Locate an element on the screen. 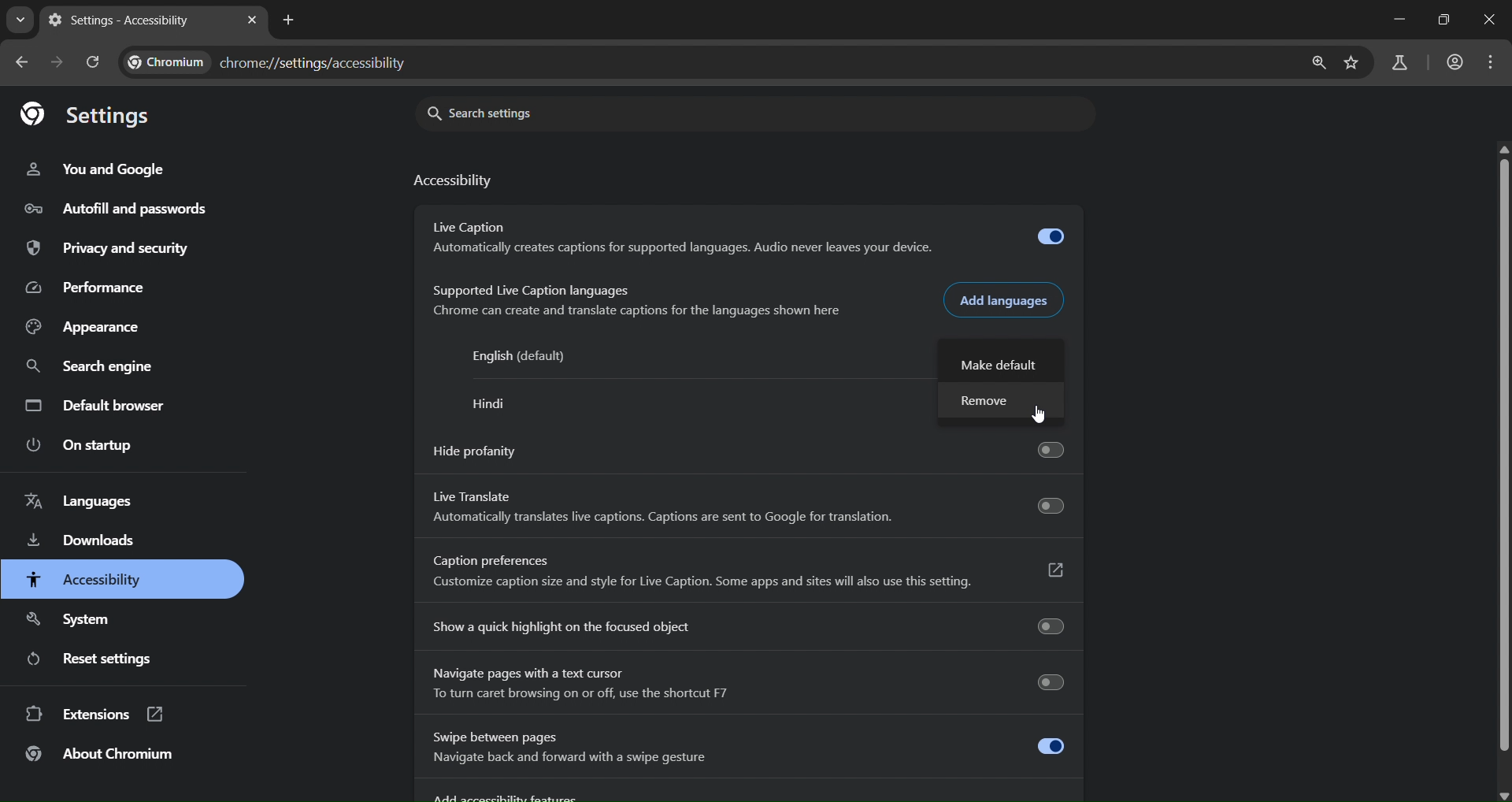 The height and width of the screenshot is (802, 1512). performance is located at coordinates (93, 288).